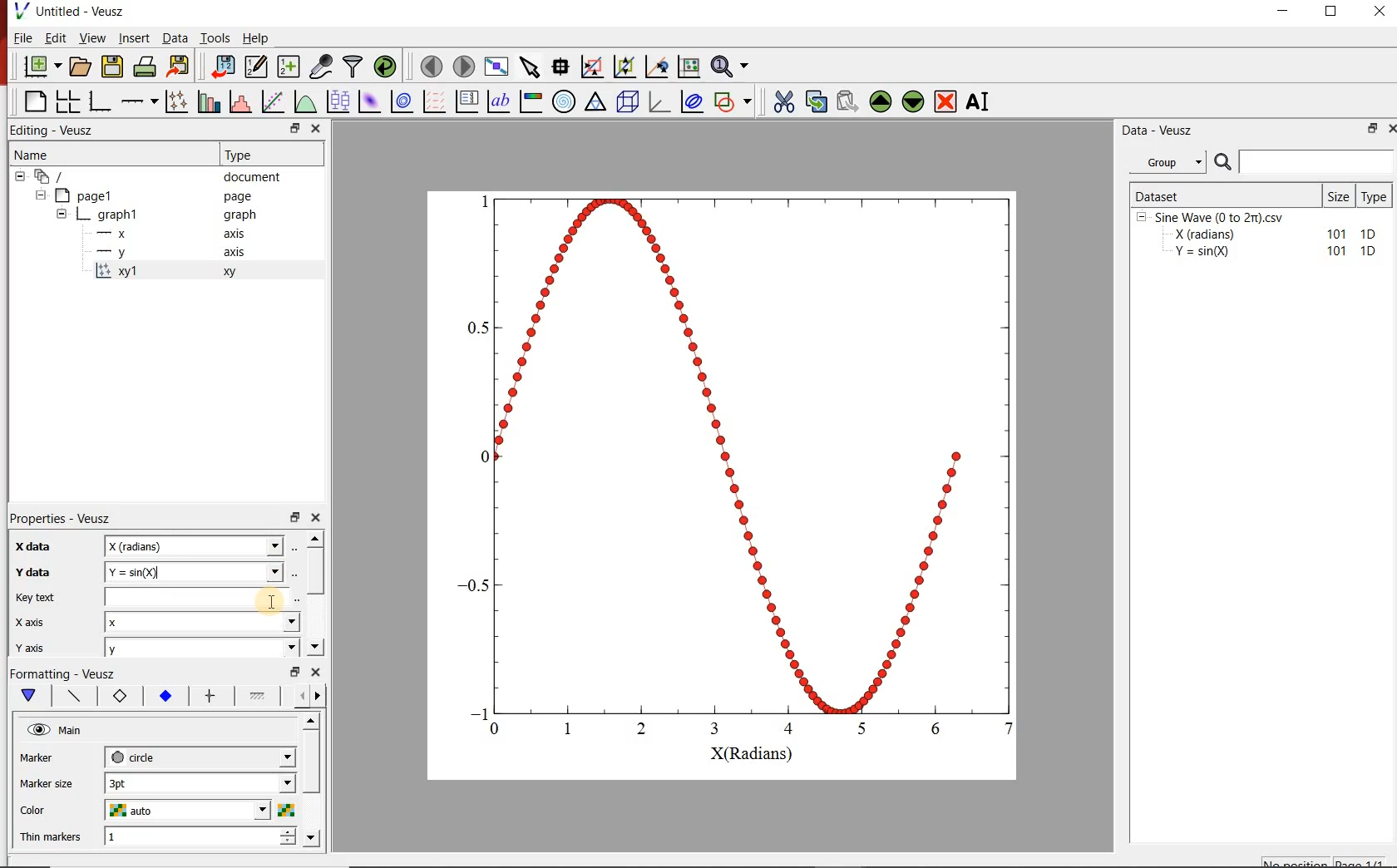 The image size is (1397, 868). I want to click on plot a vector field, so click(435, 101).